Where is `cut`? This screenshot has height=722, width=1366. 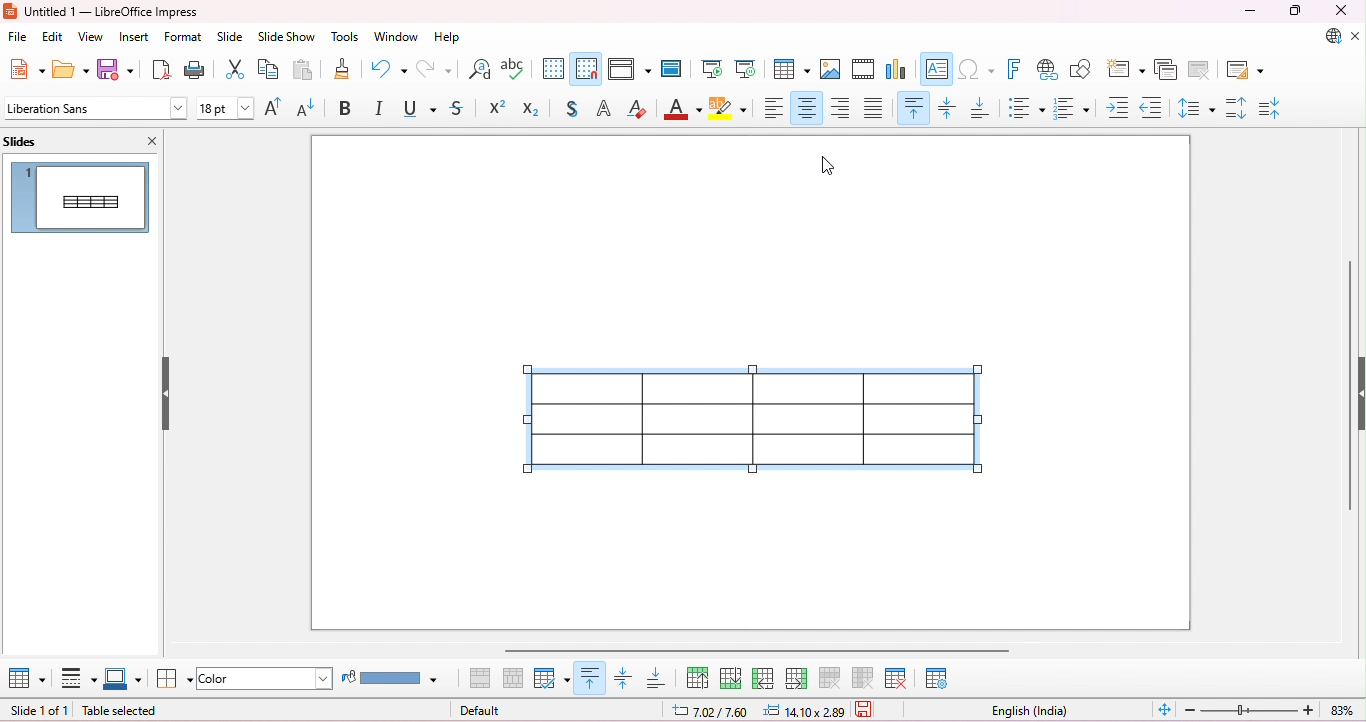
cut is located at coordinates (237, 71).